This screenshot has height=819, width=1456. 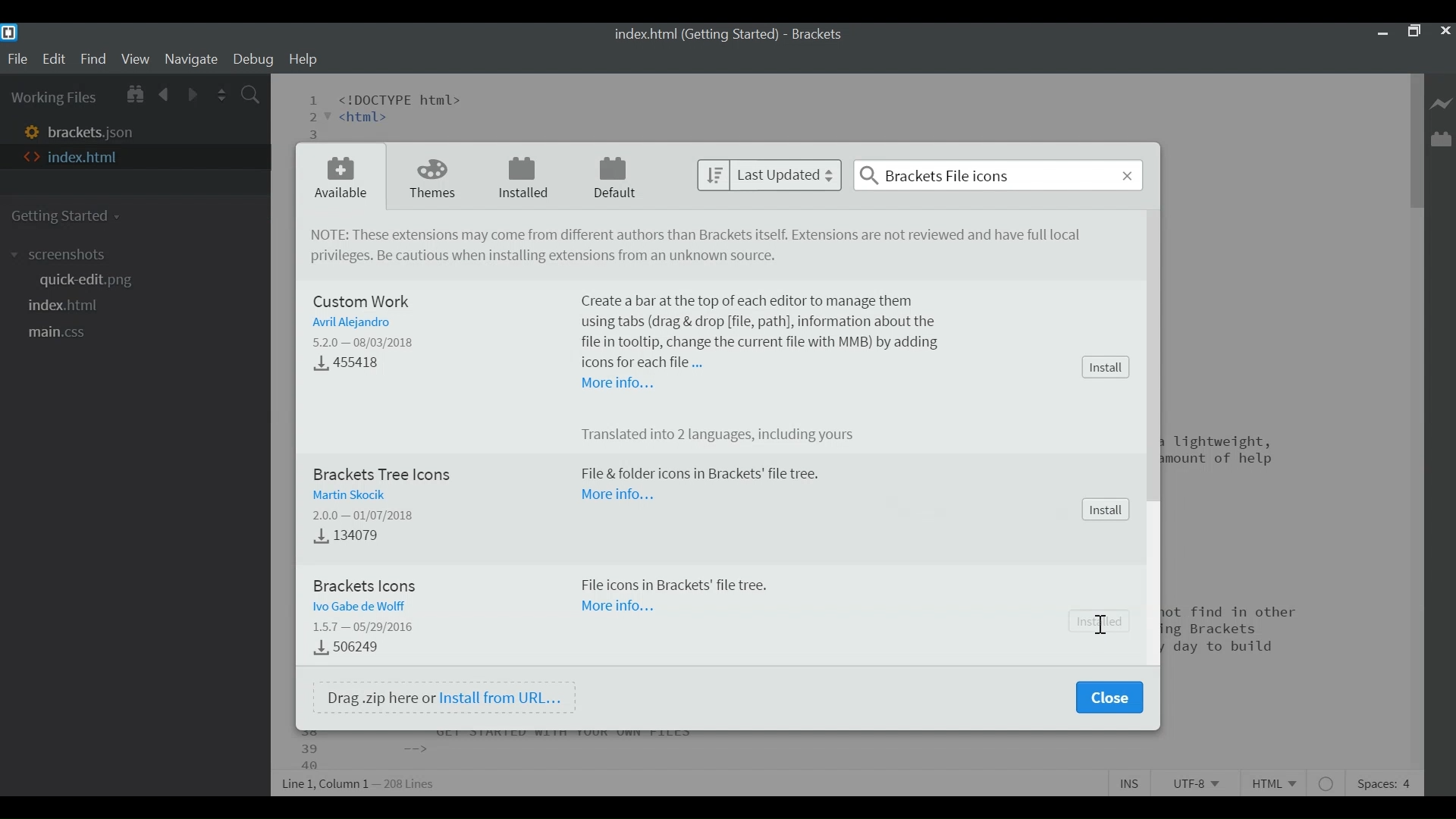 I want to click on Live Preview, so click(x=1440, y=101).